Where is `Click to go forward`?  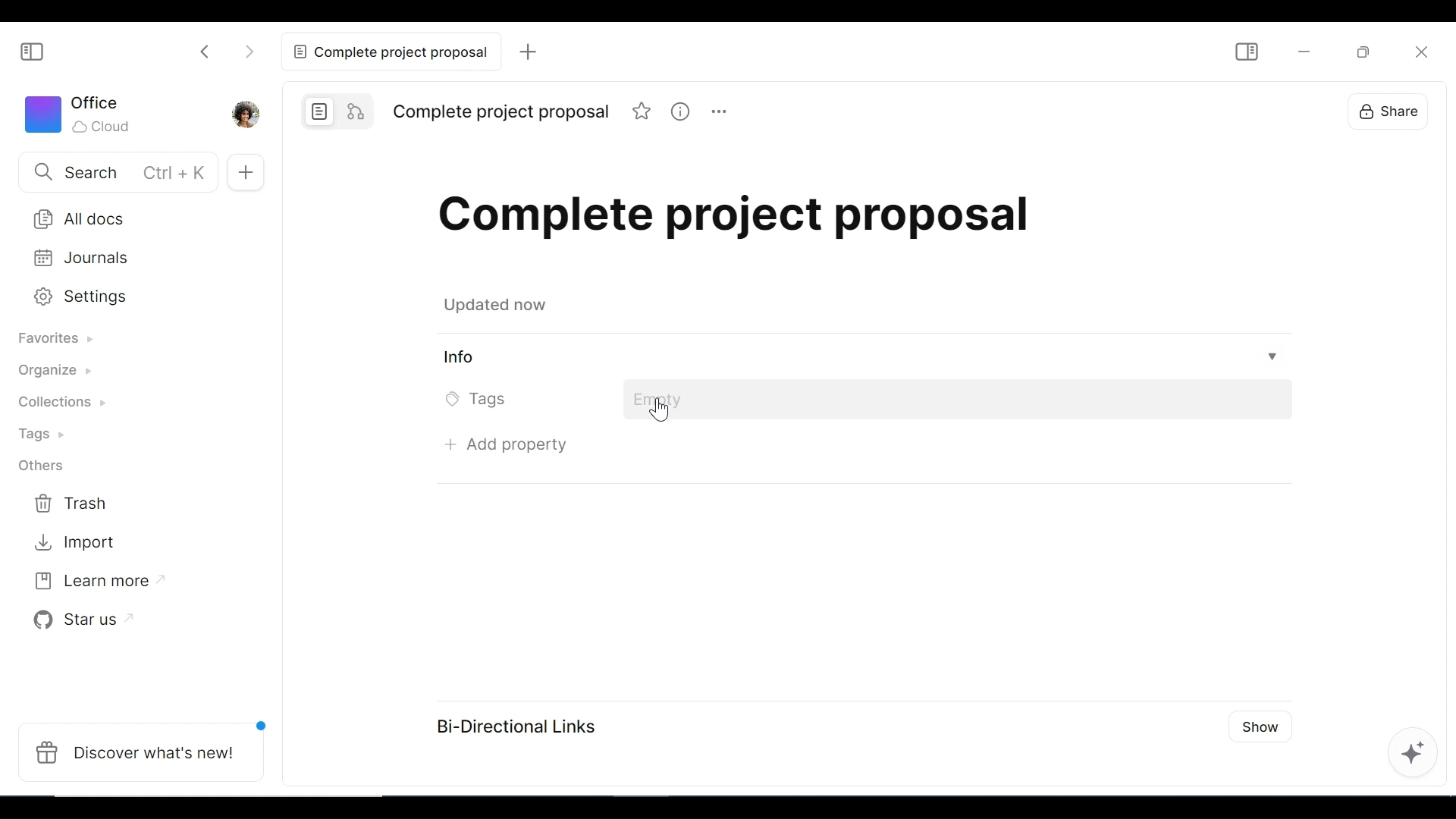
Click to go forward is located at coordinates (252, 52).